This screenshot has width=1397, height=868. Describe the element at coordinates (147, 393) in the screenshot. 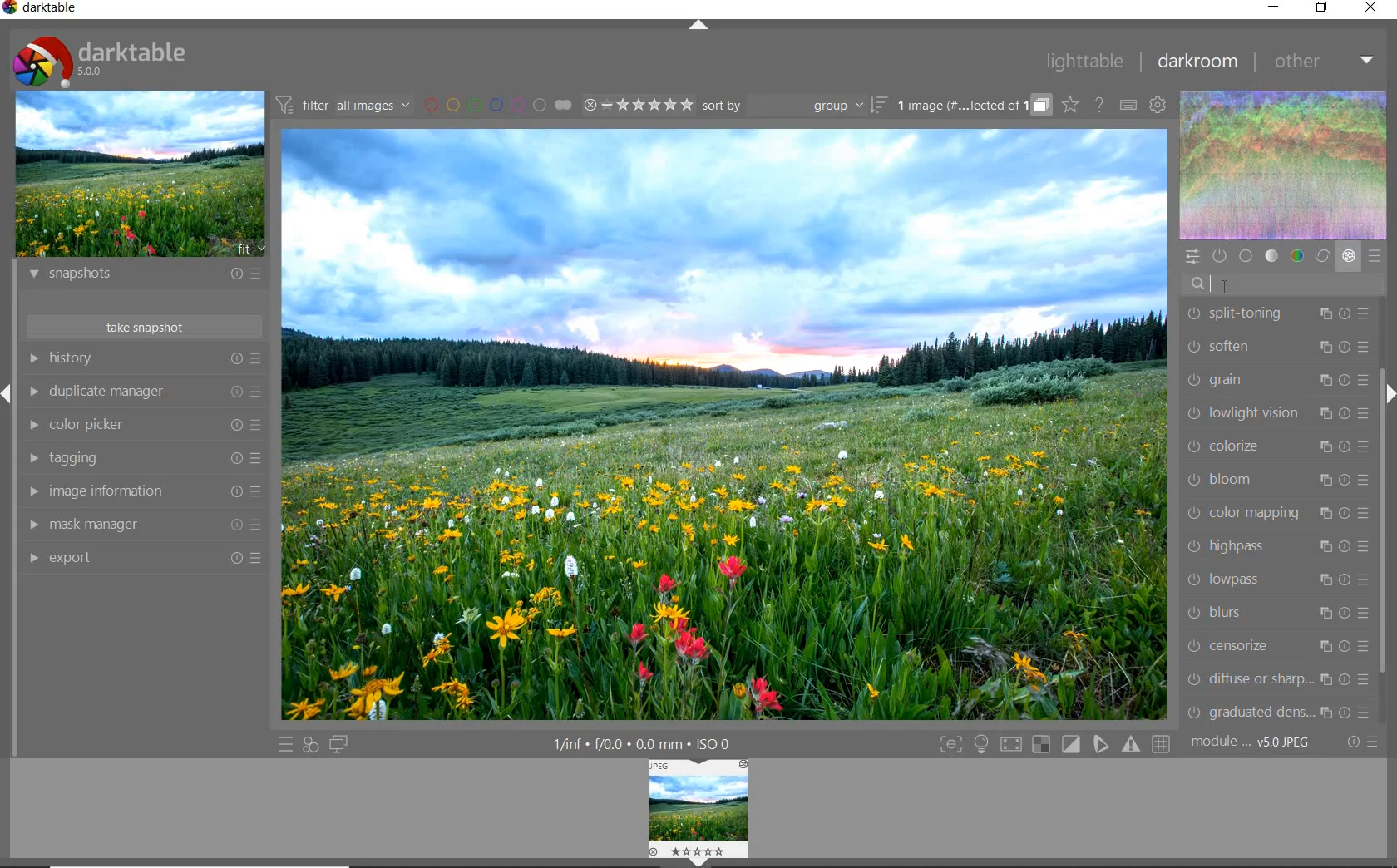

I see `duplicate manager` at that location.